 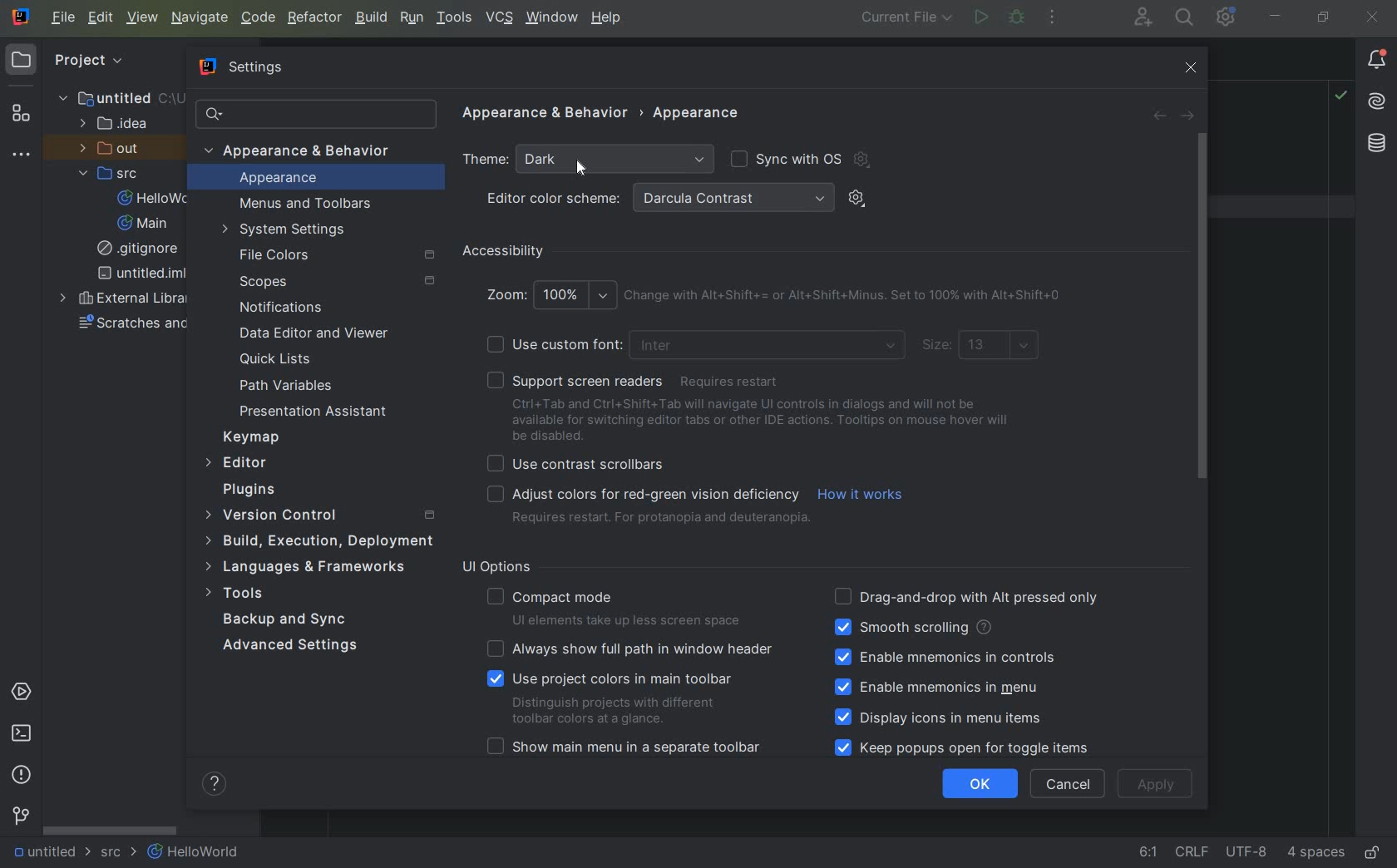 What do you see at coordinates (1158, 116) in the screenshot?
I see `BACKWARD` at bounding box center [1158, 116].